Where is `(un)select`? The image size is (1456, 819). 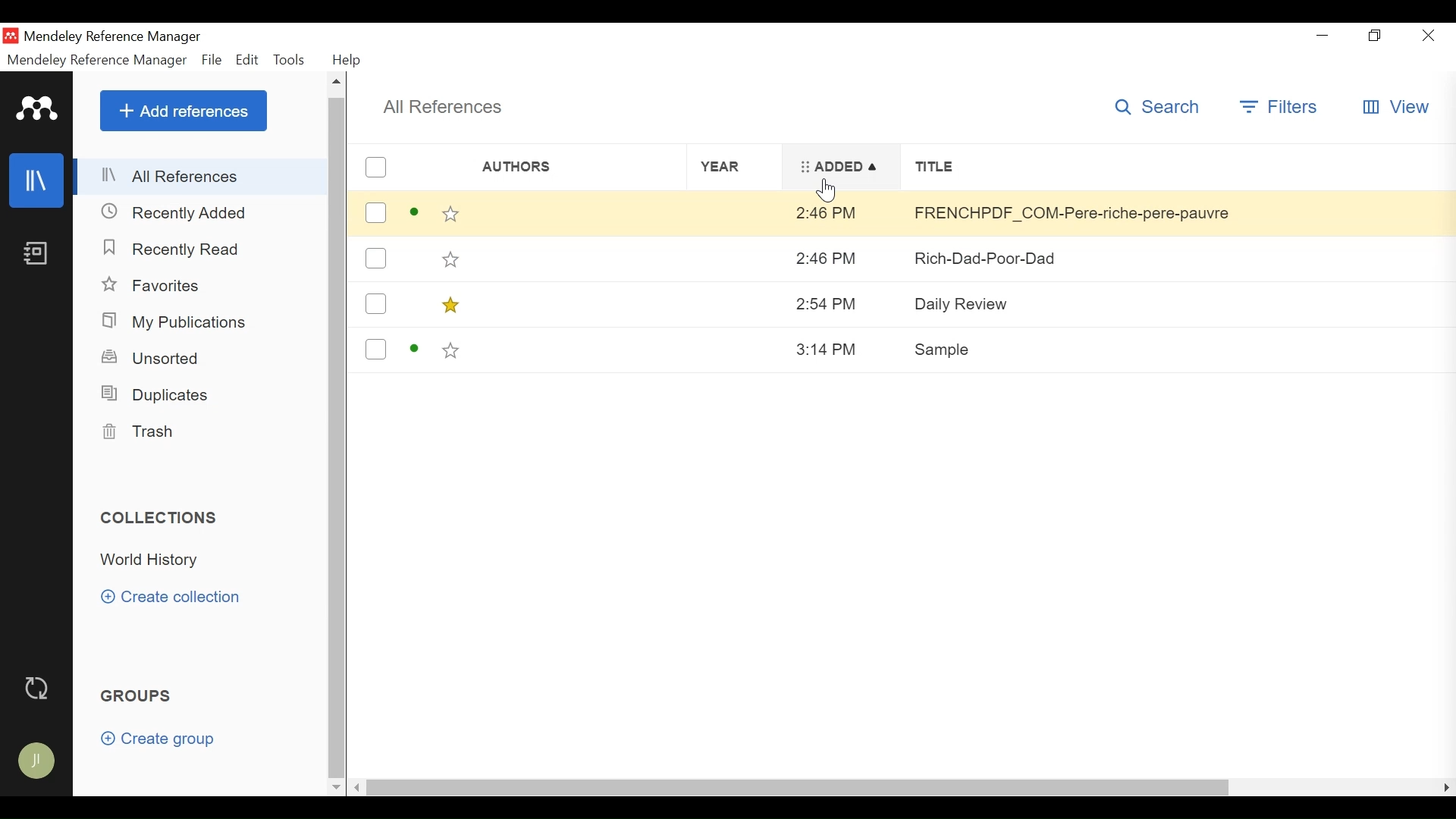
(un)select is located at coordinates (377, 259).